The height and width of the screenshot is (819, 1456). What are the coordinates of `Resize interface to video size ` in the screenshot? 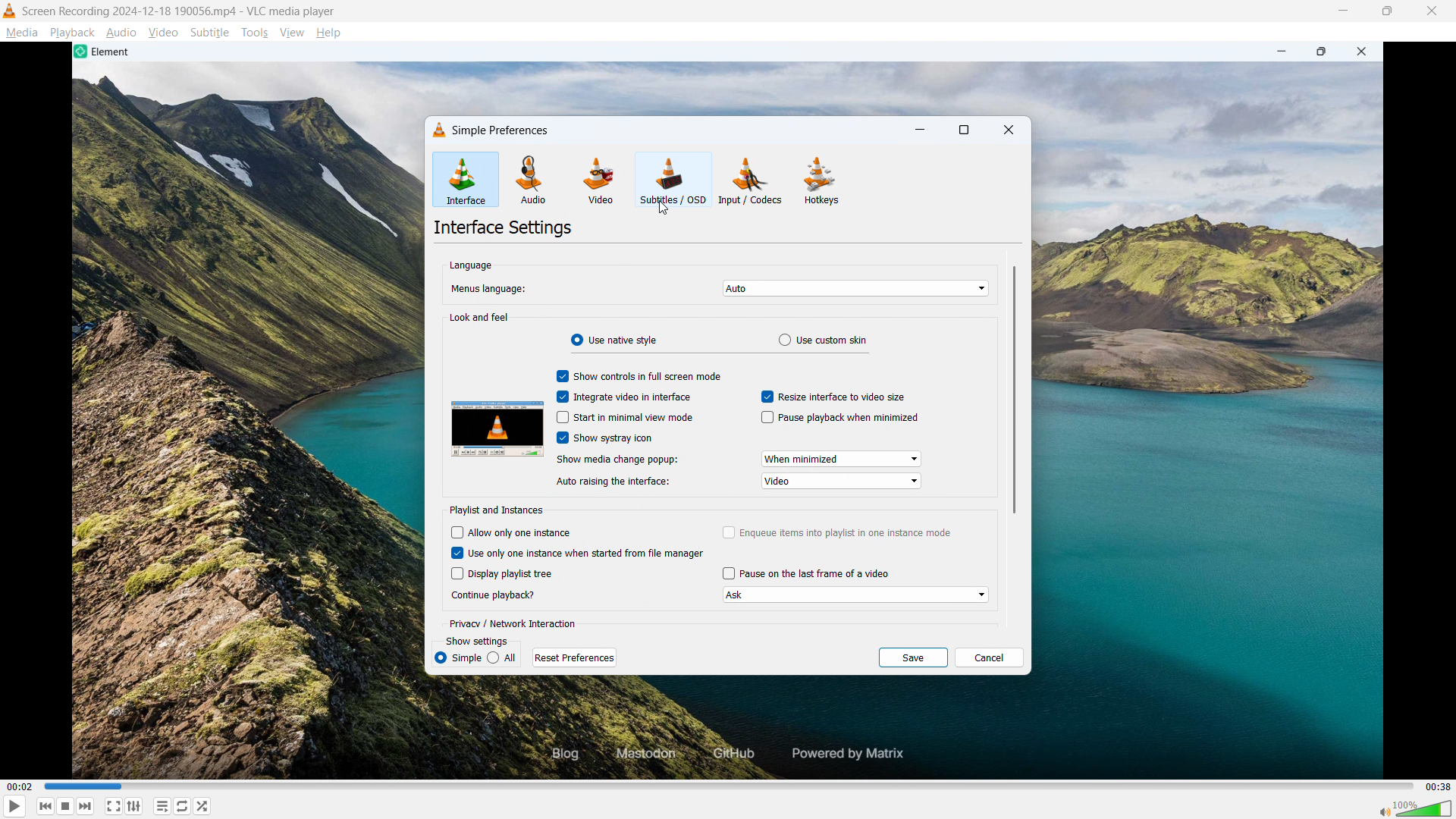 It's located at (843, 397).